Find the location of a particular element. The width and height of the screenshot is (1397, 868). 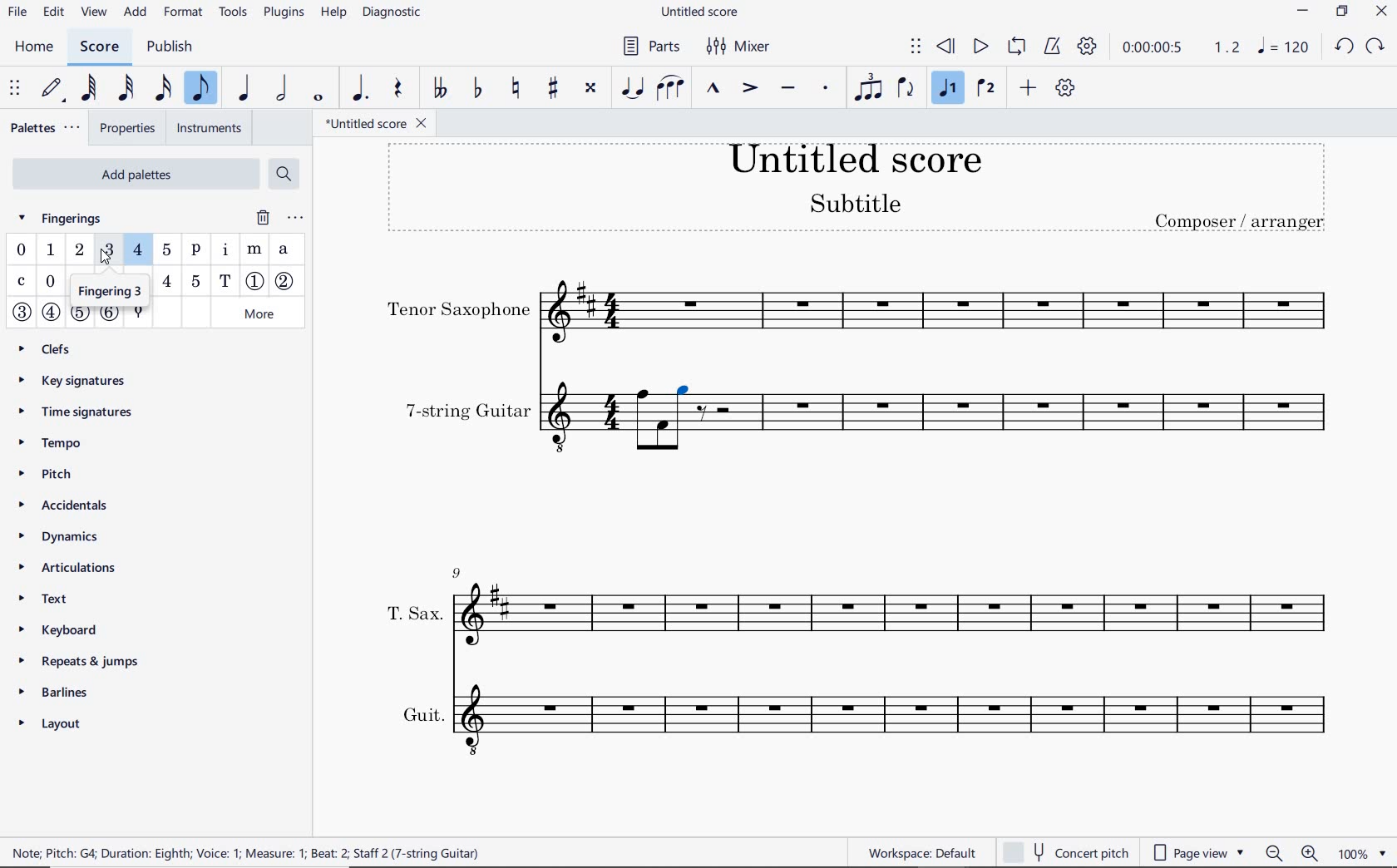

STACCATO is located at coordinates (825, 87).